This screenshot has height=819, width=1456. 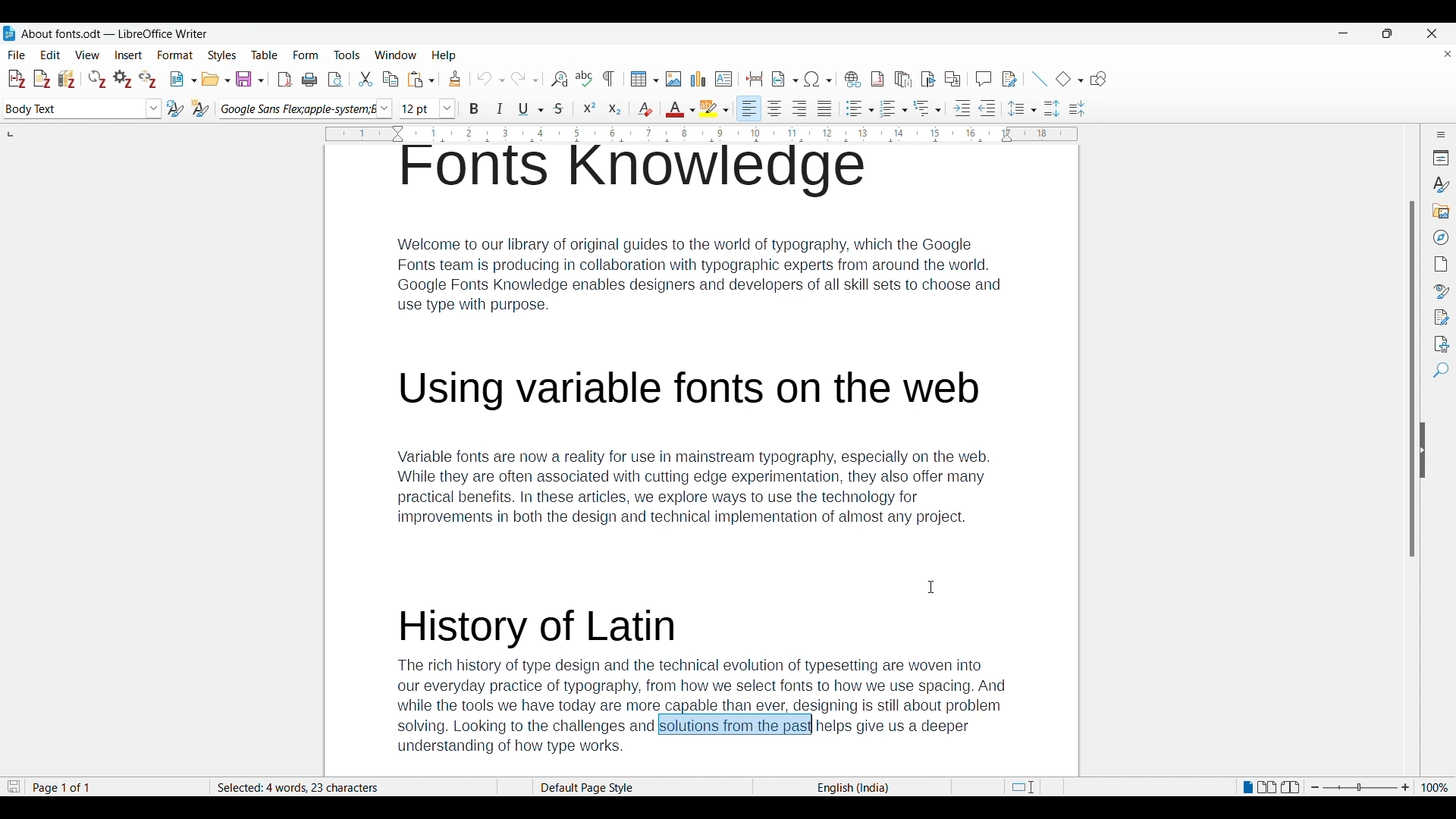 I want to click on Text in current document, so click(x=699, y=461).